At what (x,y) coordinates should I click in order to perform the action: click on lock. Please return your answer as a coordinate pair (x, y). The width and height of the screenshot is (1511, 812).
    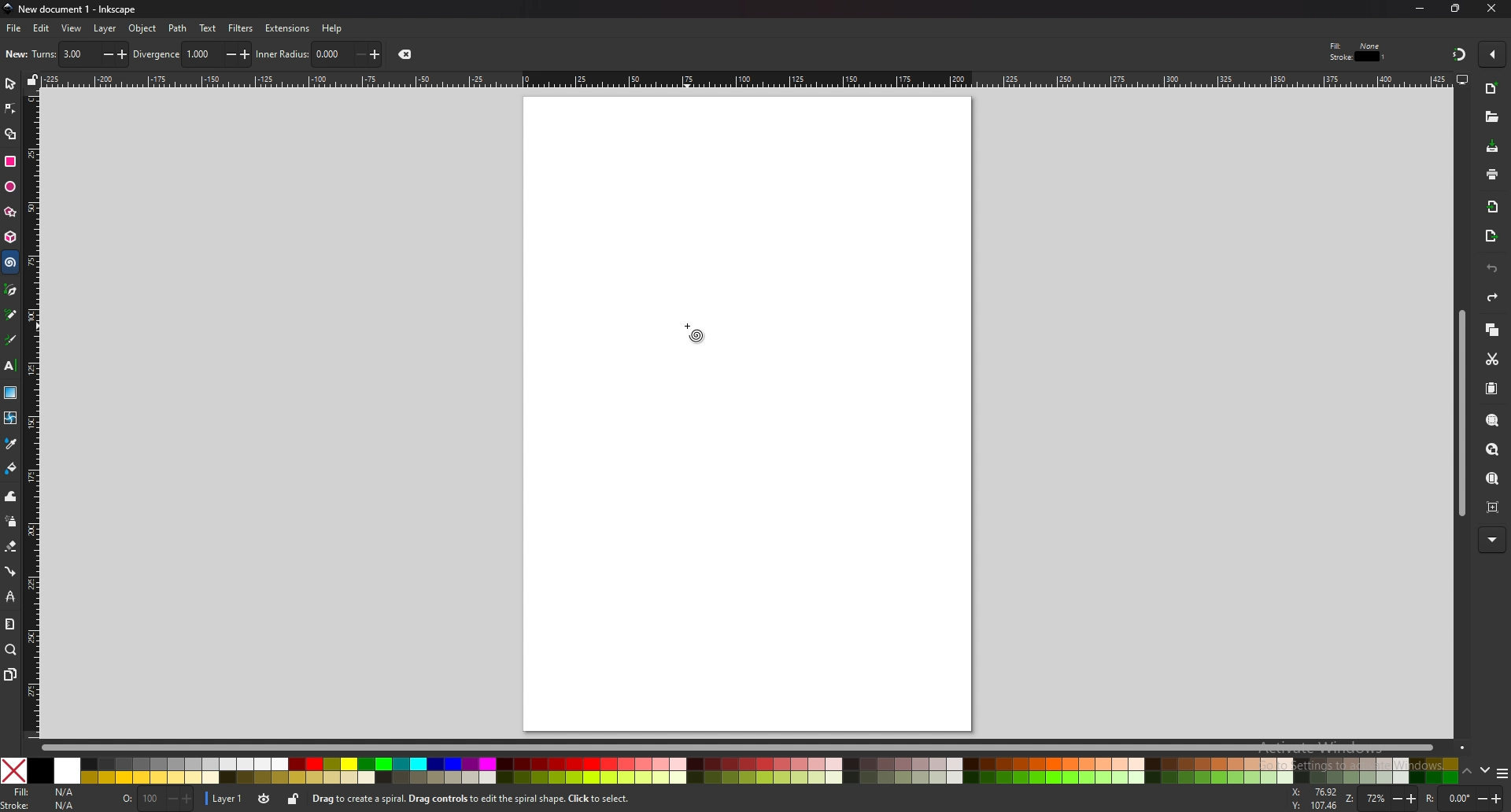
    Looking at the image, I should click on (294, 801).